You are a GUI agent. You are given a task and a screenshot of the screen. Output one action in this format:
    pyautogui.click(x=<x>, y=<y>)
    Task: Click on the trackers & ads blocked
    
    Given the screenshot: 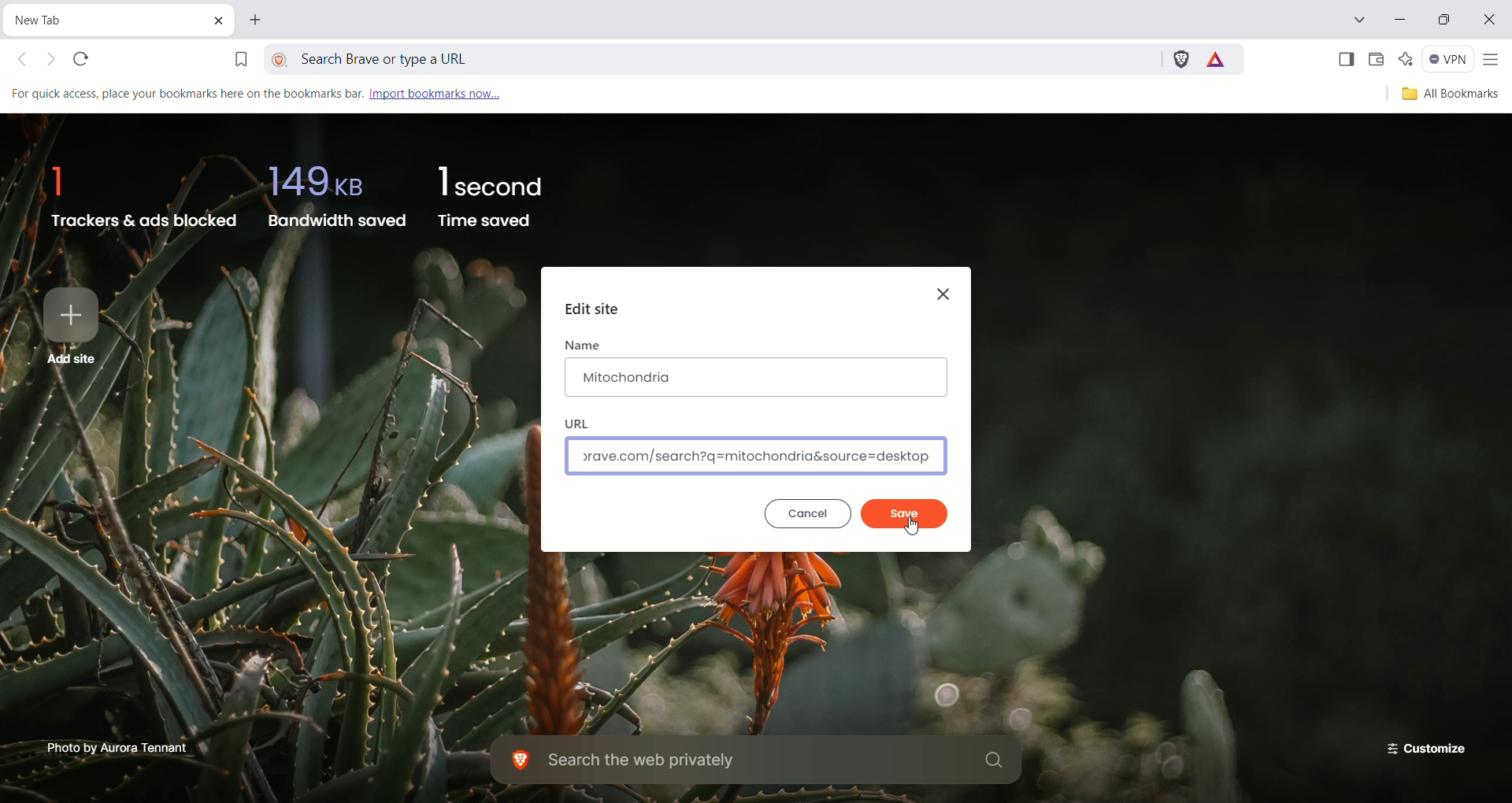 What is the action you would take?
    pyautogui.click(x=138, y=191)
    